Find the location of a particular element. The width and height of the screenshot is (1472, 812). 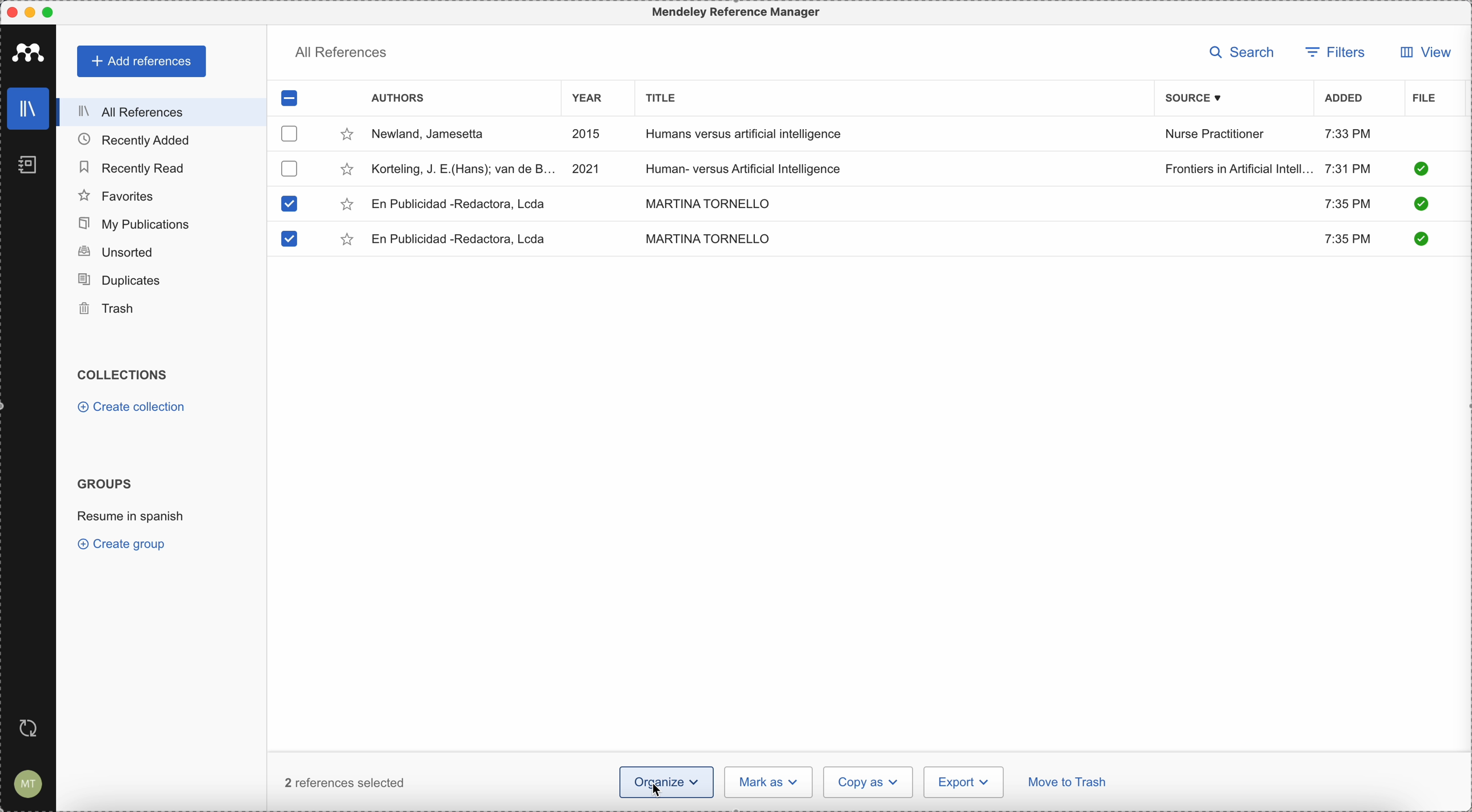

duplicates is located at coordinates (119, 281).